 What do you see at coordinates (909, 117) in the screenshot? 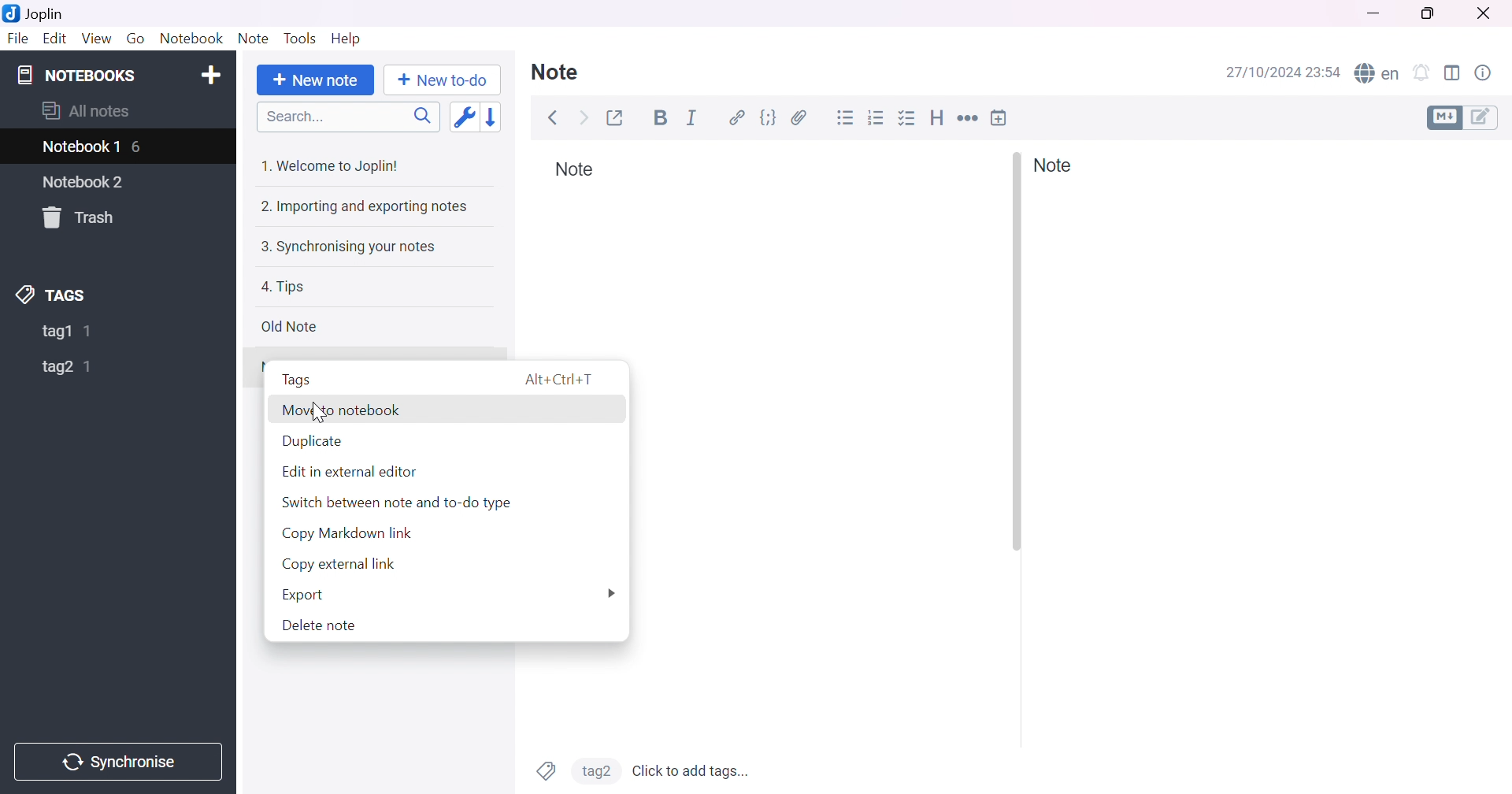
I see `Checkbox` at bounding box center [909, 117].